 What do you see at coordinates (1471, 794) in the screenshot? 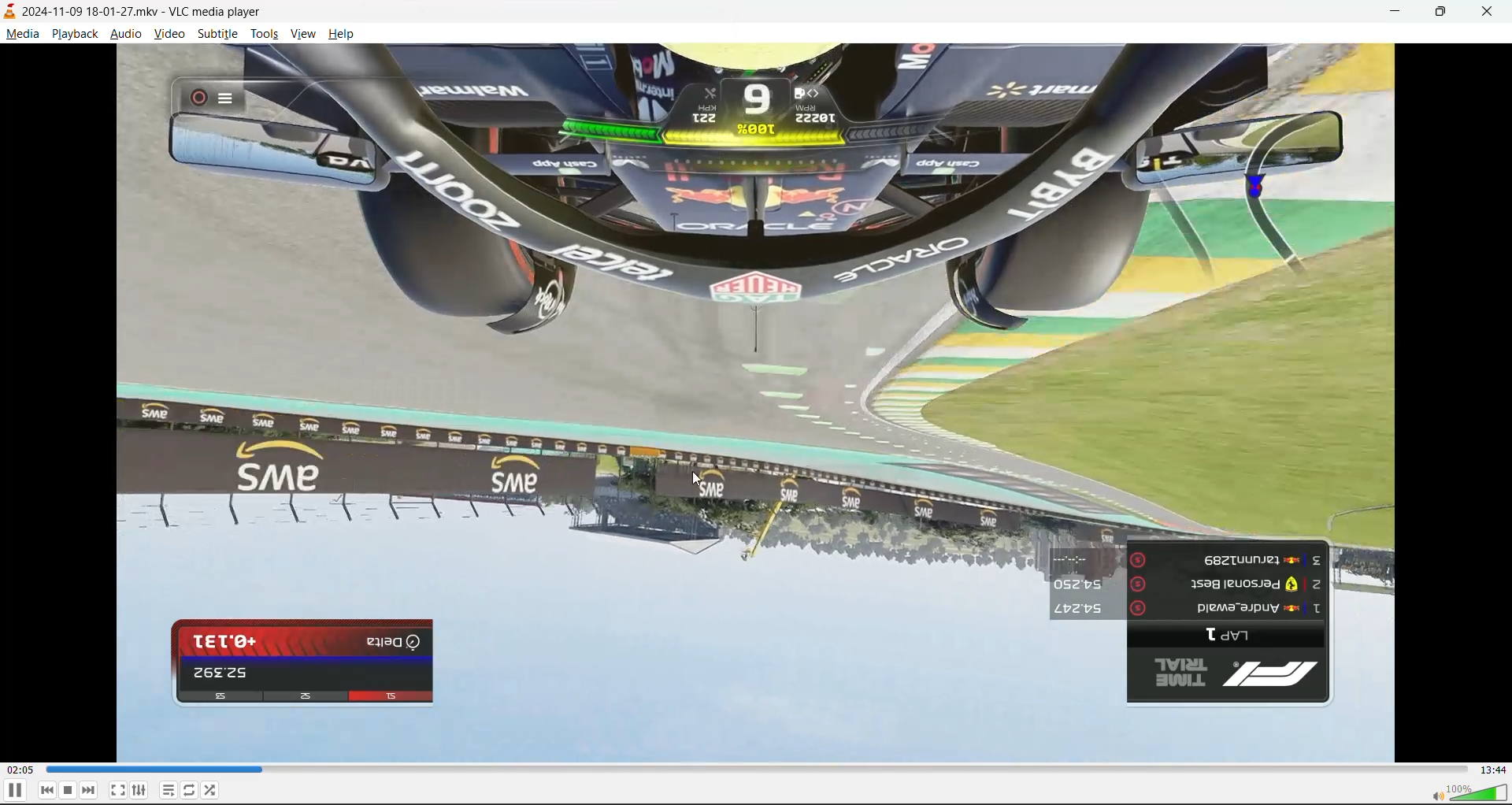
I see `volume` at bounding box center [1471, 794].